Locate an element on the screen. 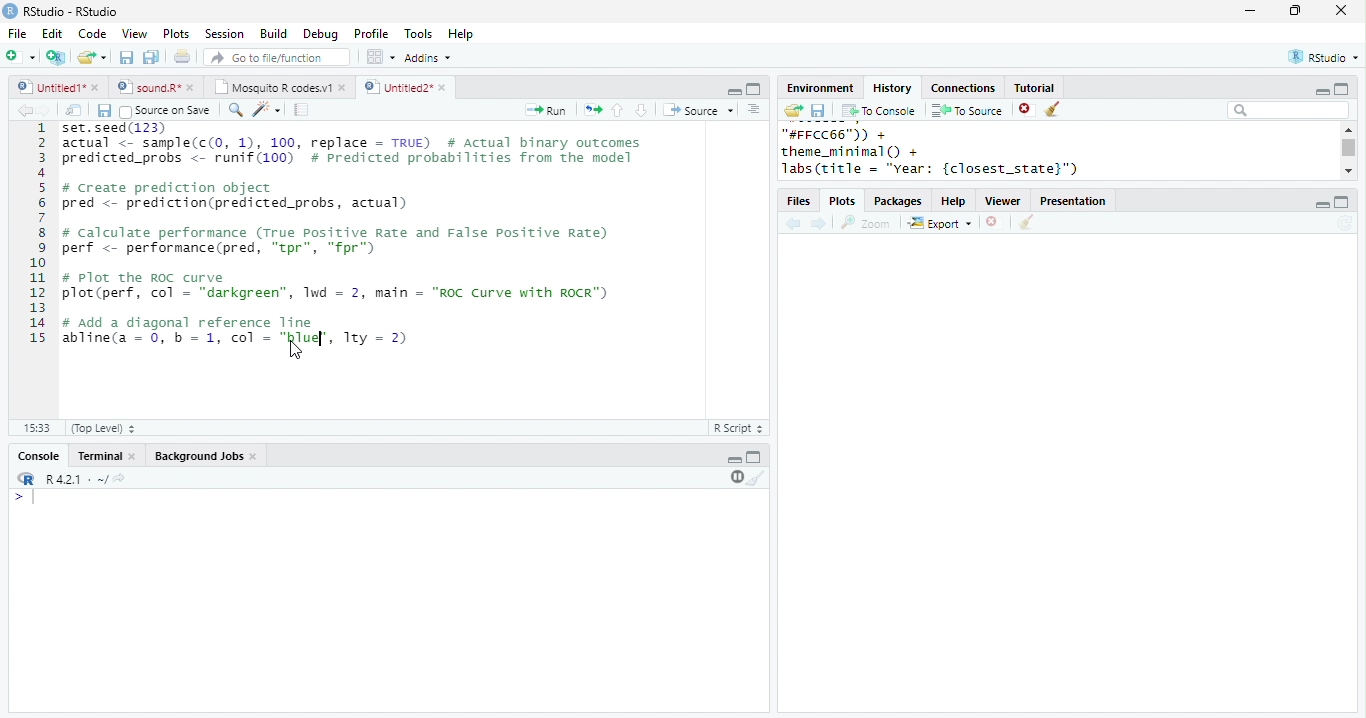 Image resolution: width=1366 pixels, height=718 pixels. # Create prediction object
pred <- prediction(predicted_probs, actual) is located at coordinates (236, 196).